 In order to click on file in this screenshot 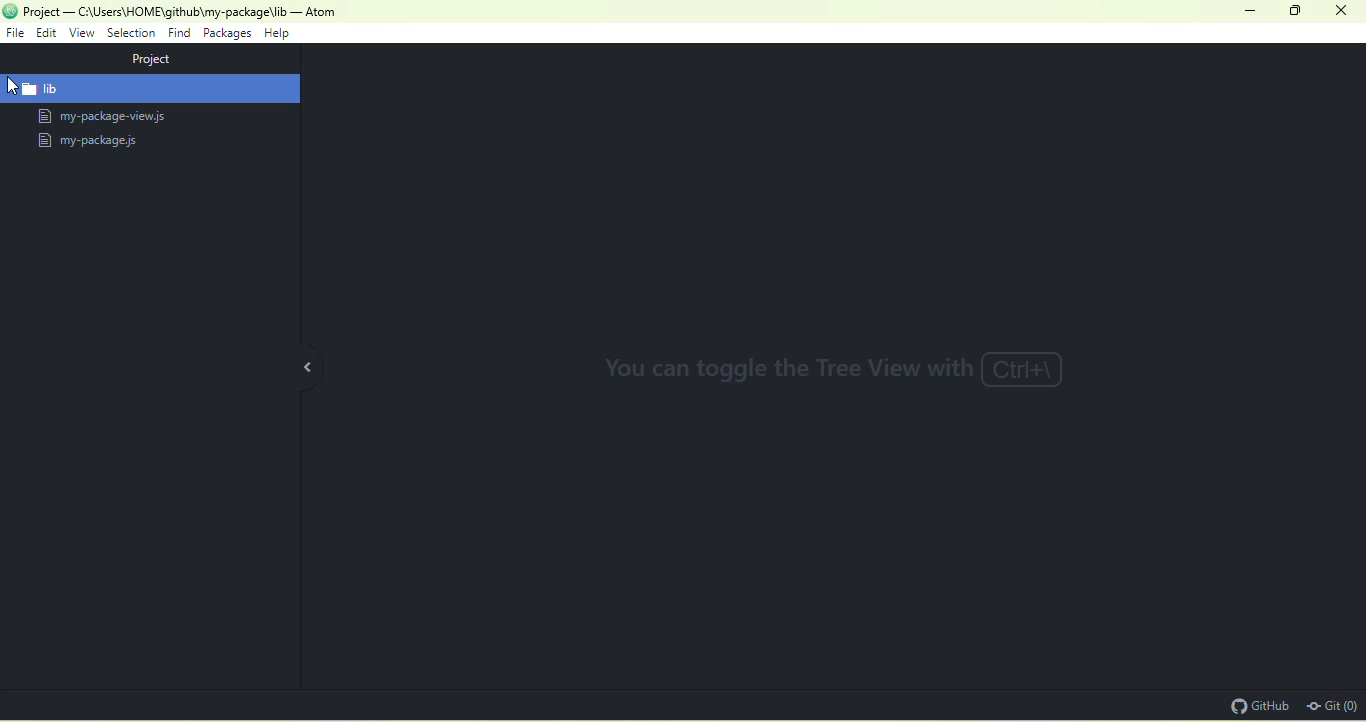, I will do `click(15, 32)`.